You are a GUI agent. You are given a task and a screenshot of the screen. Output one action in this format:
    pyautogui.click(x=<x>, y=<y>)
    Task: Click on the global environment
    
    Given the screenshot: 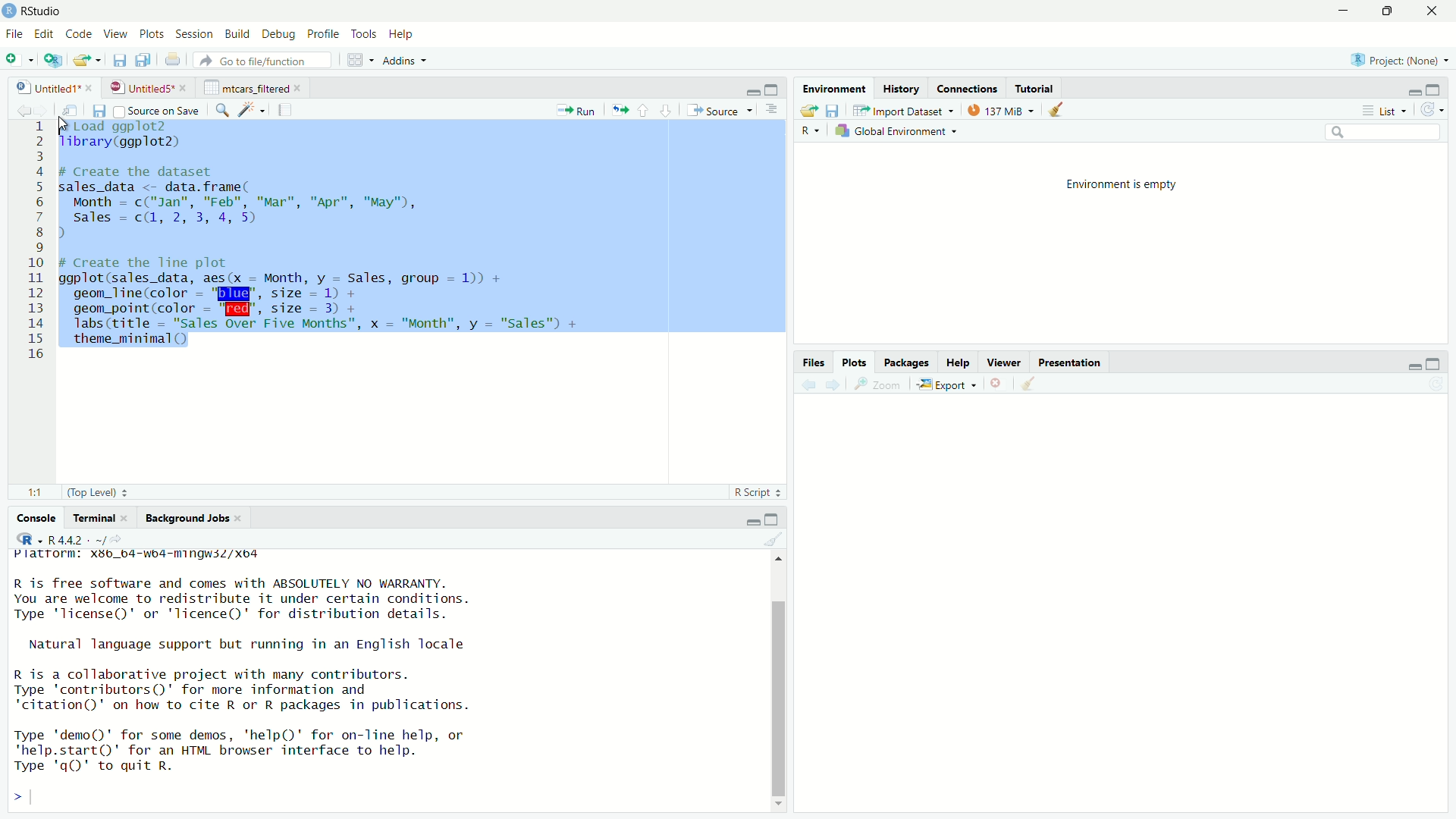 What is the action you would take?
    pyautogui.click(x=893, y=132)
    